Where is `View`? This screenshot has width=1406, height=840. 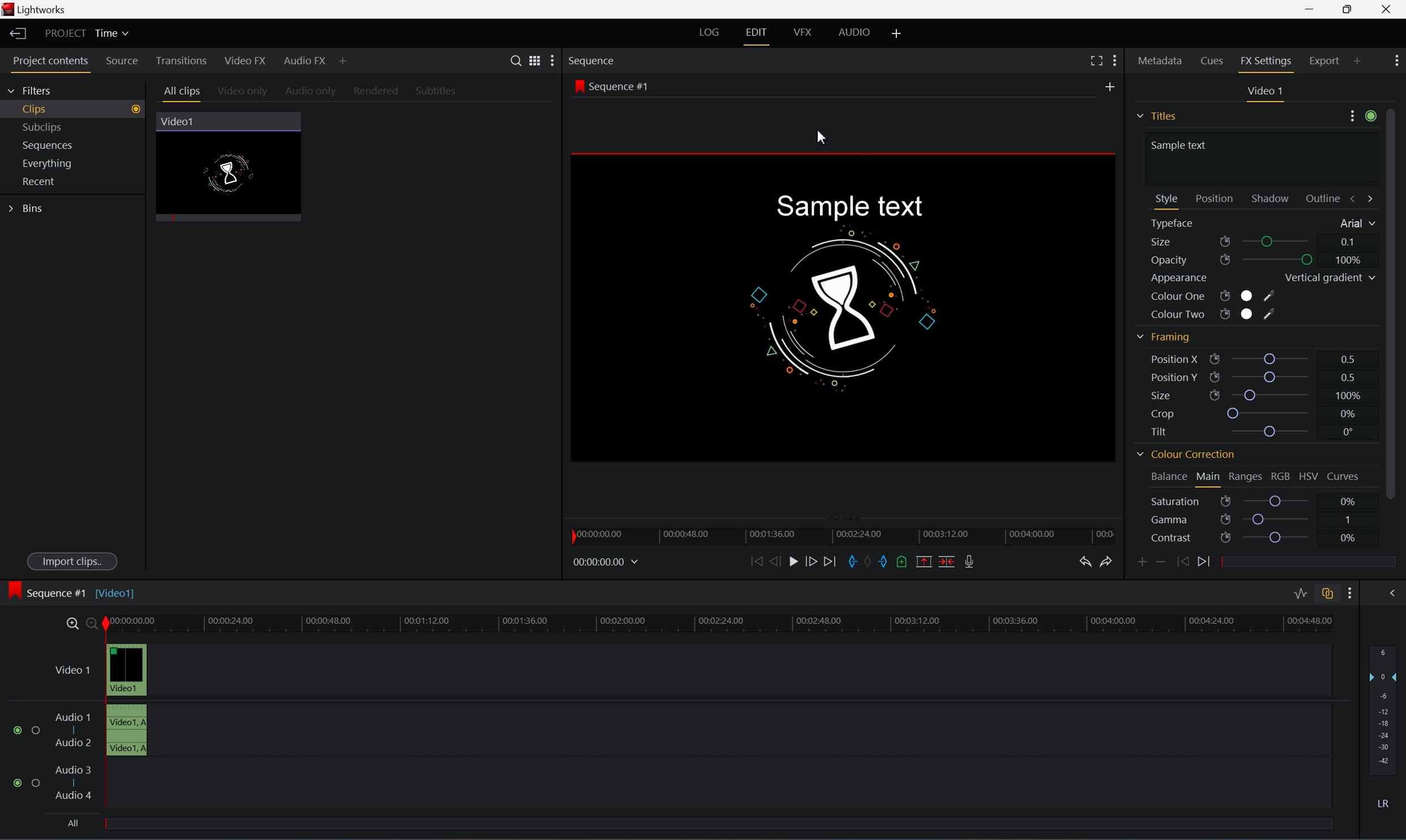 View is located at coordinates (531, 59).